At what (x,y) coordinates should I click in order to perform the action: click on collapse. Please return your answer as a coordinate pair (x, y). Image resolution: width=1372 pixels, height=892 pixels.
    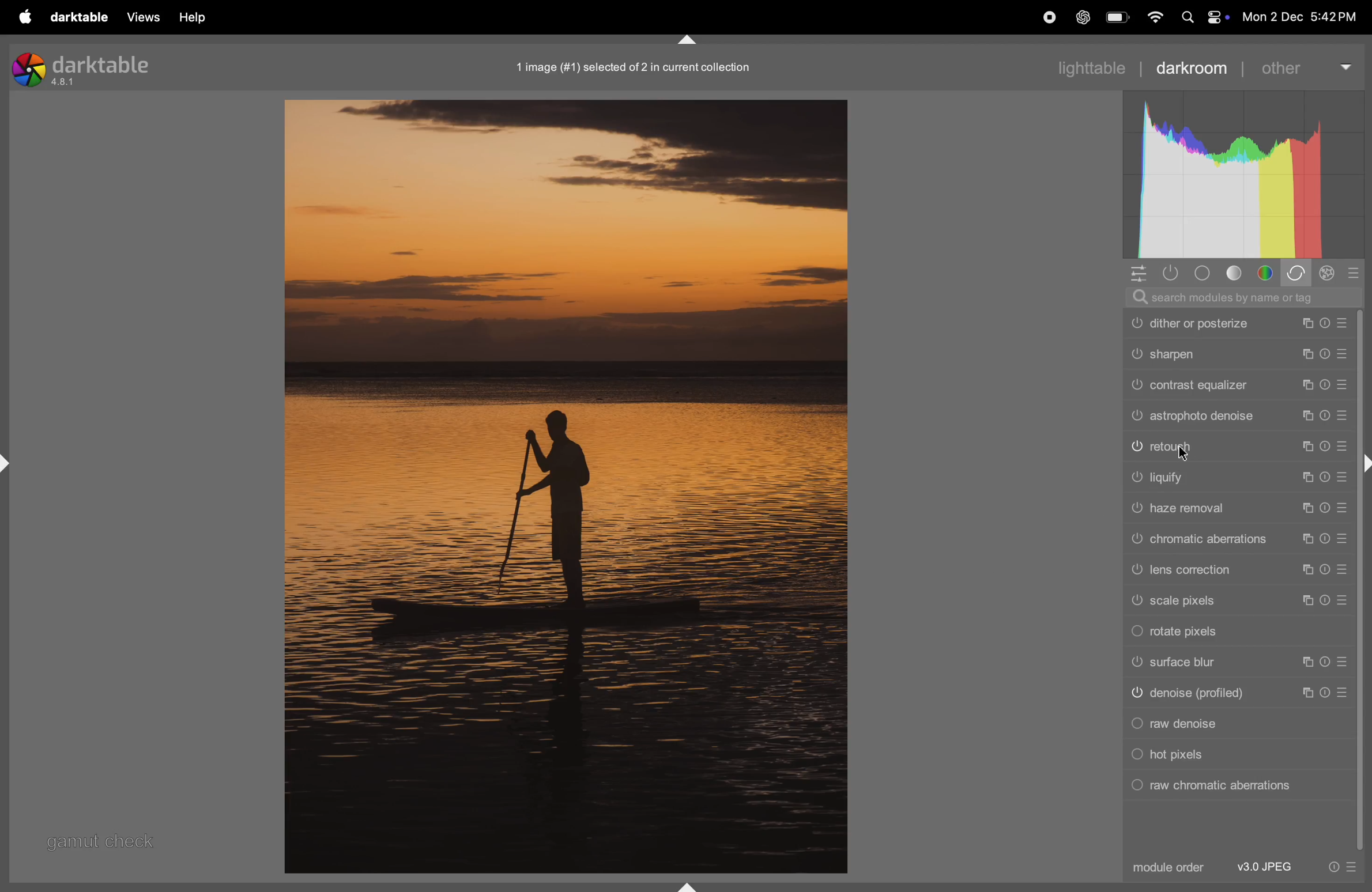
    Looking at the image, I should click on (1363, 464).